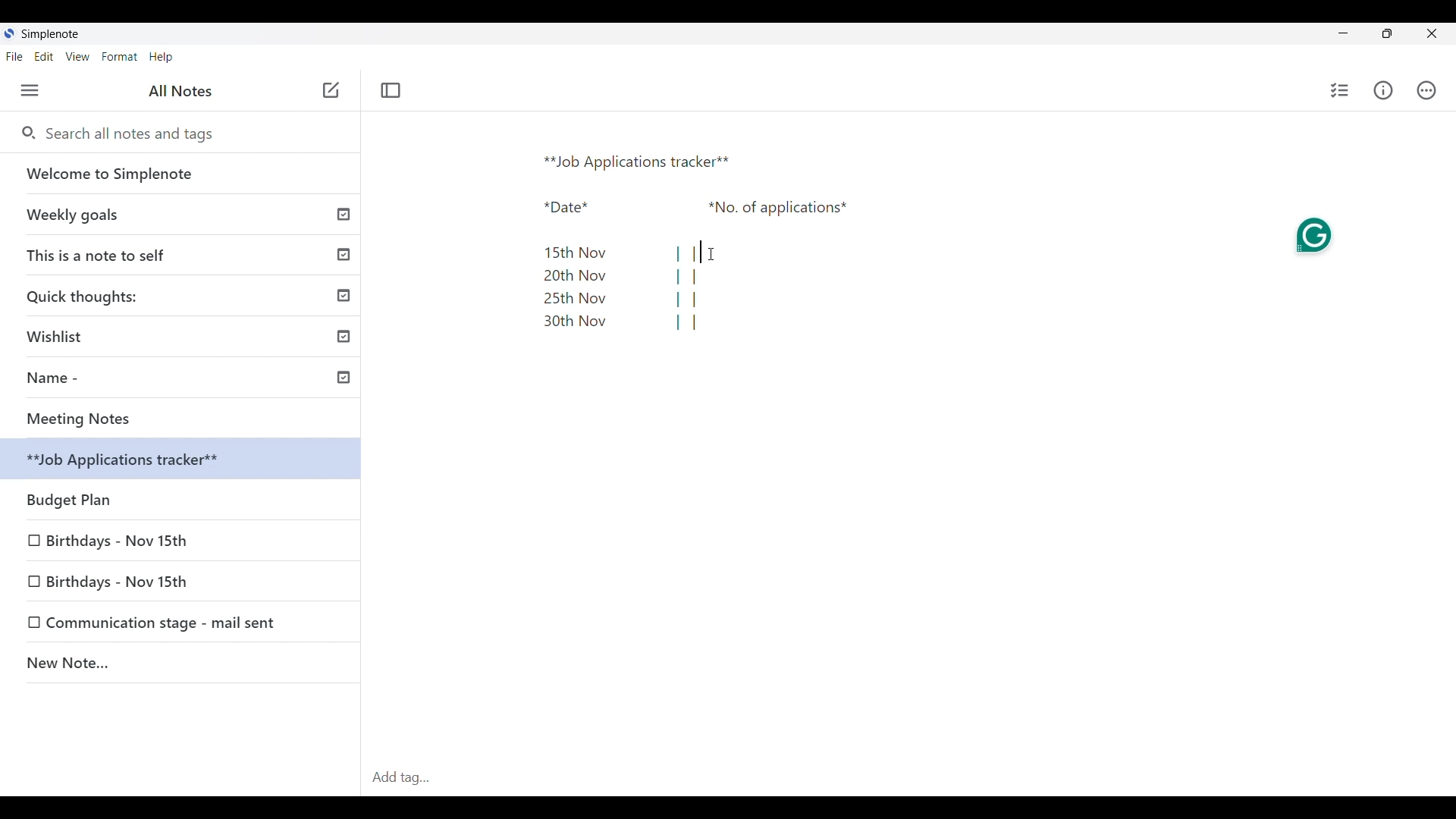 The image size is (1456, 819). Describe the element at coordinates (119, 538) in the screenshot. I see `Birthdays - Nov 15th` at that location.